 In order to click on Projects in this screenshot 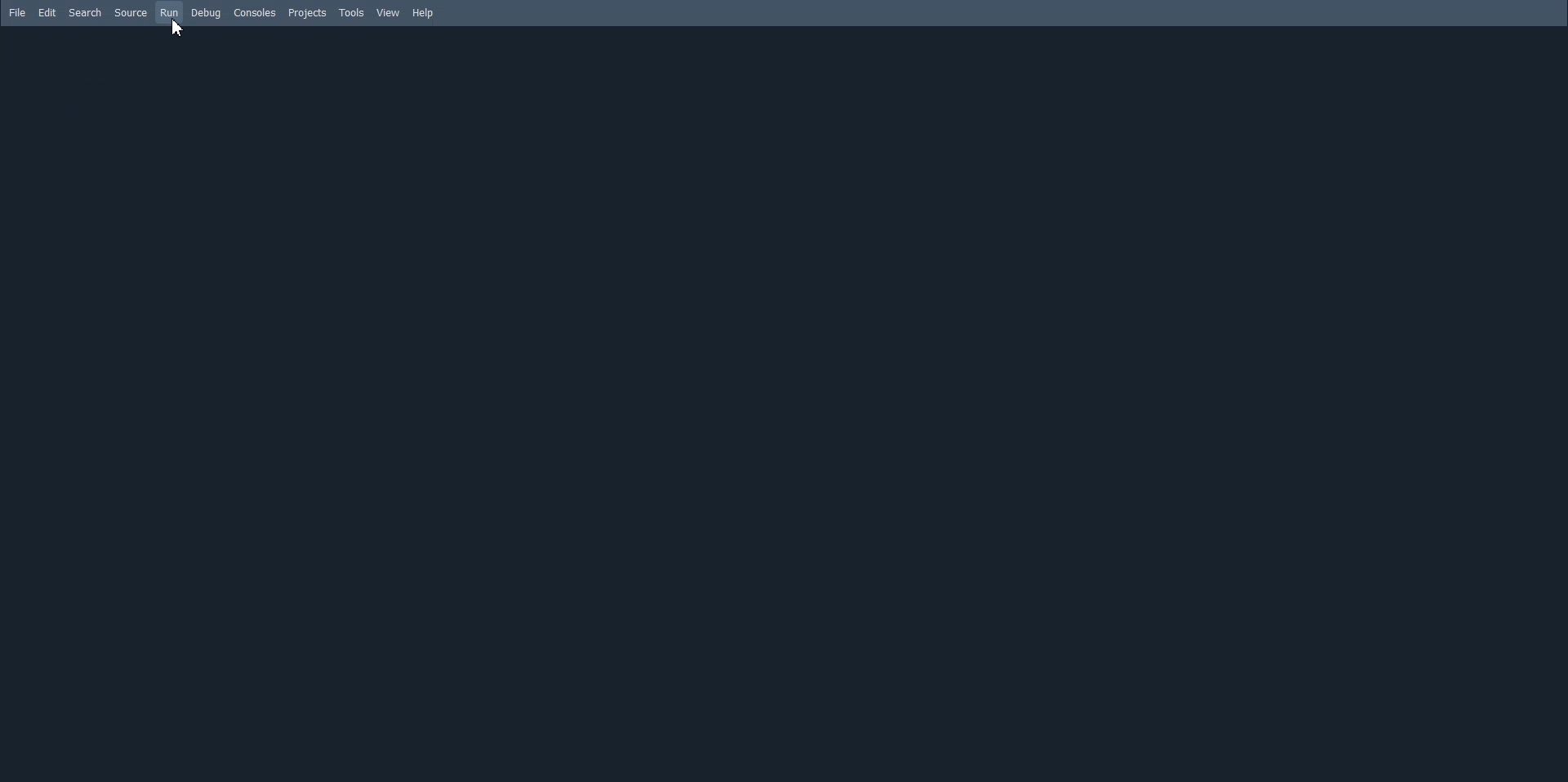, I will do `click(308, 12)`.